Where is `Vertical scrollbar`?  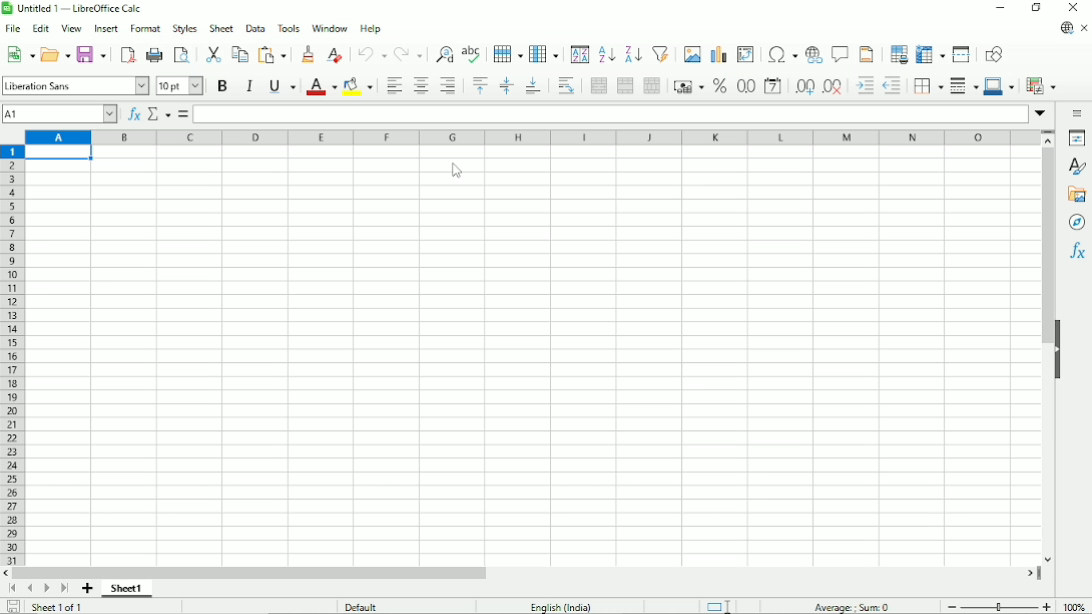
Vertical scrollbar is located at coordinates (1043, 248).